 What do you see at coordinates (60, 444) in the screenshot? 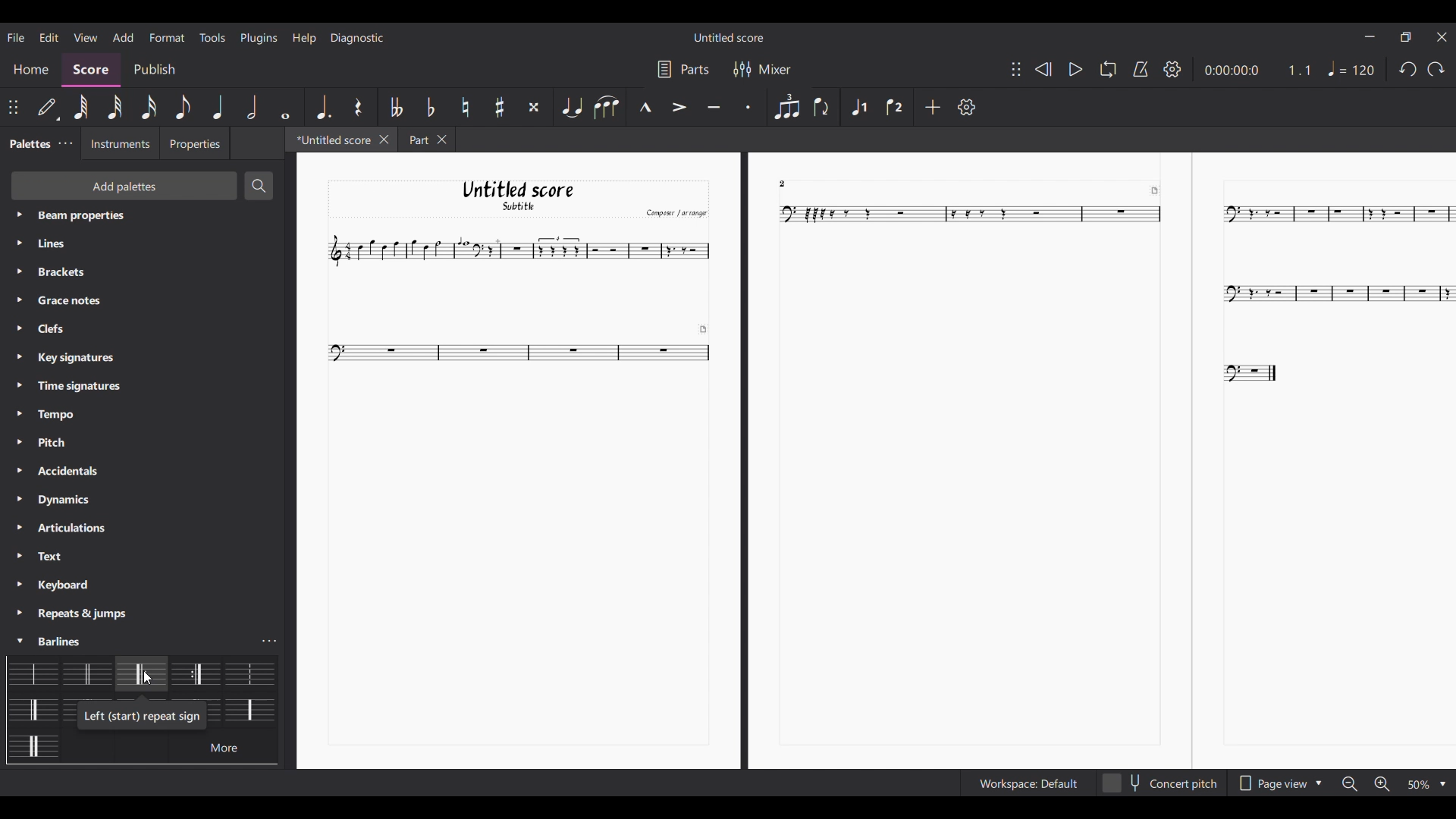
I see `Palette settings` at bounding box center [60, 444].